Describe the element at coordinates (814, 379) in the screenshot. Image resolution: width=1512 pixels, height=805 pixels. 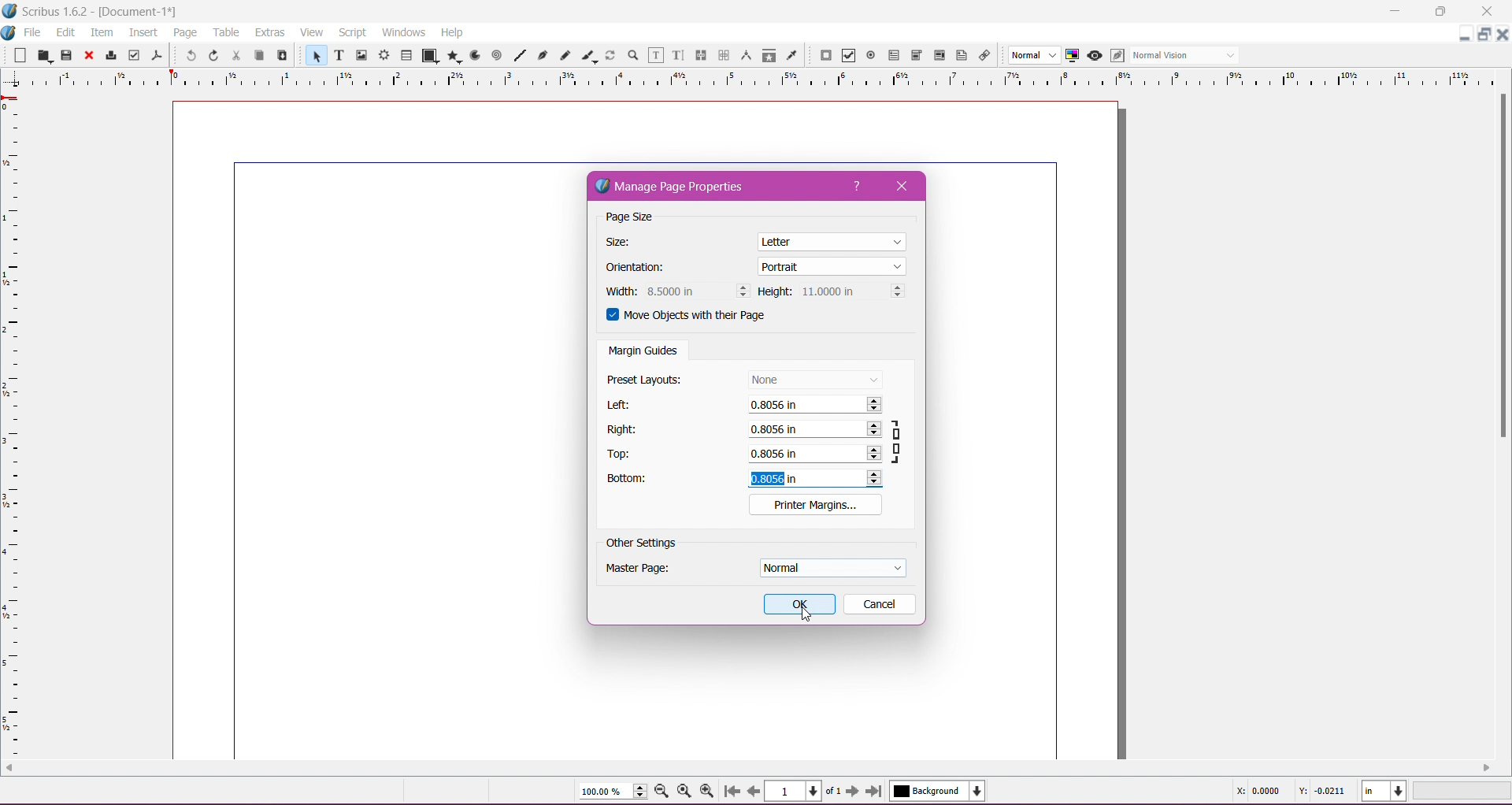
I see `Set Preset Layouts` at that location.